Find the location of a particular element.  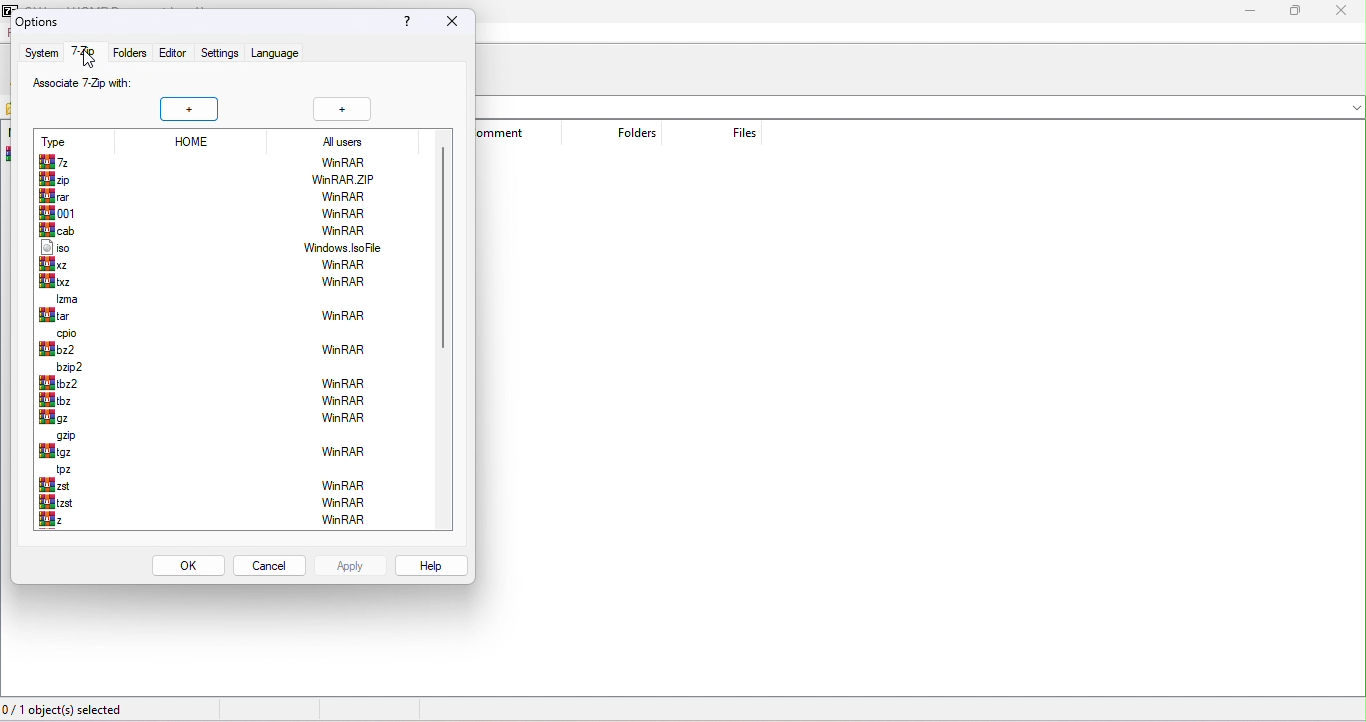

cursor movement is located at coordinates (91, 63).